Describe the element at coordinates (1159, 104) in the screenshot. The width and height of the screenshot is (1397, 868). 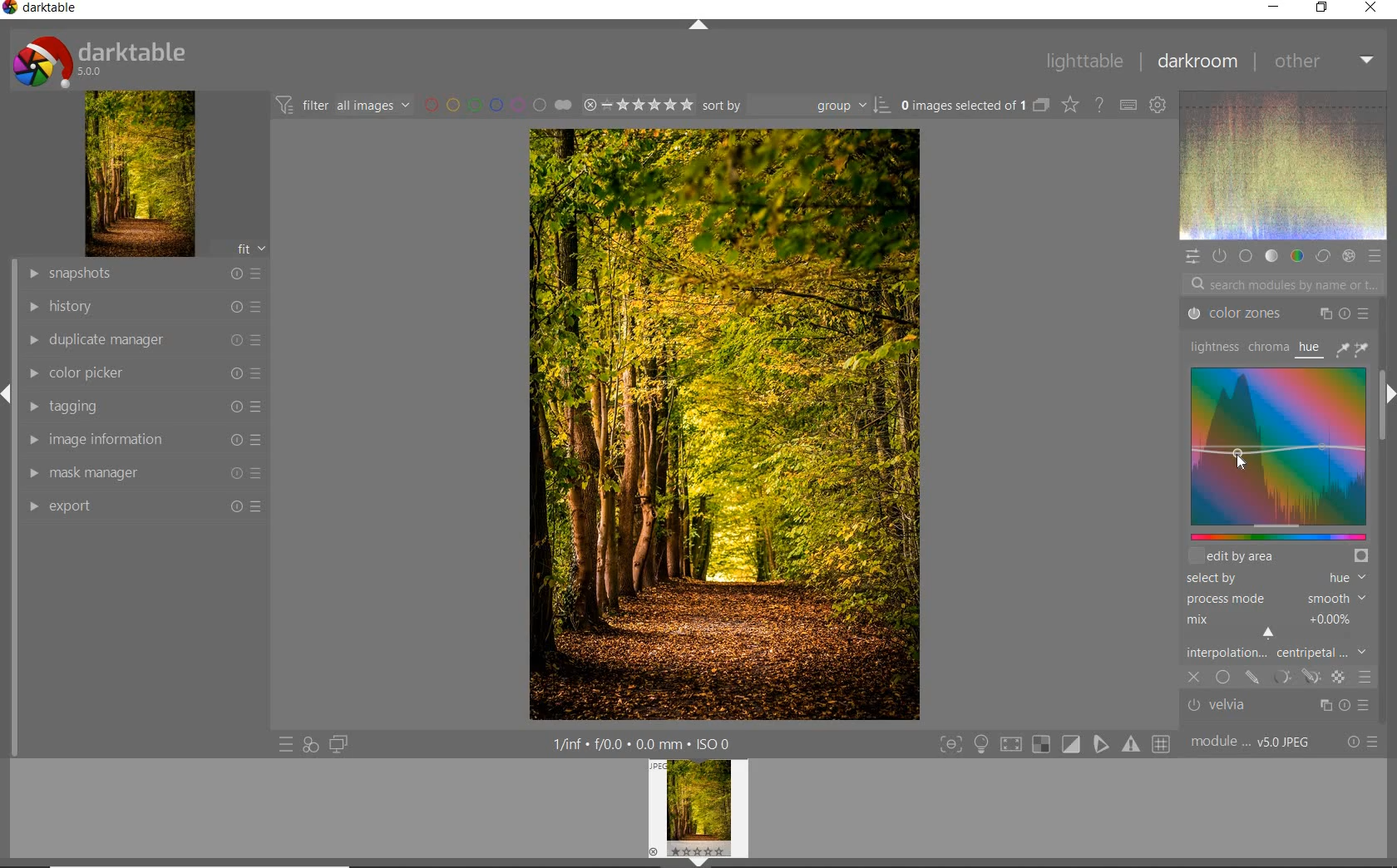
I see `SHOW GLOBAL PREFERENCE` at that location.